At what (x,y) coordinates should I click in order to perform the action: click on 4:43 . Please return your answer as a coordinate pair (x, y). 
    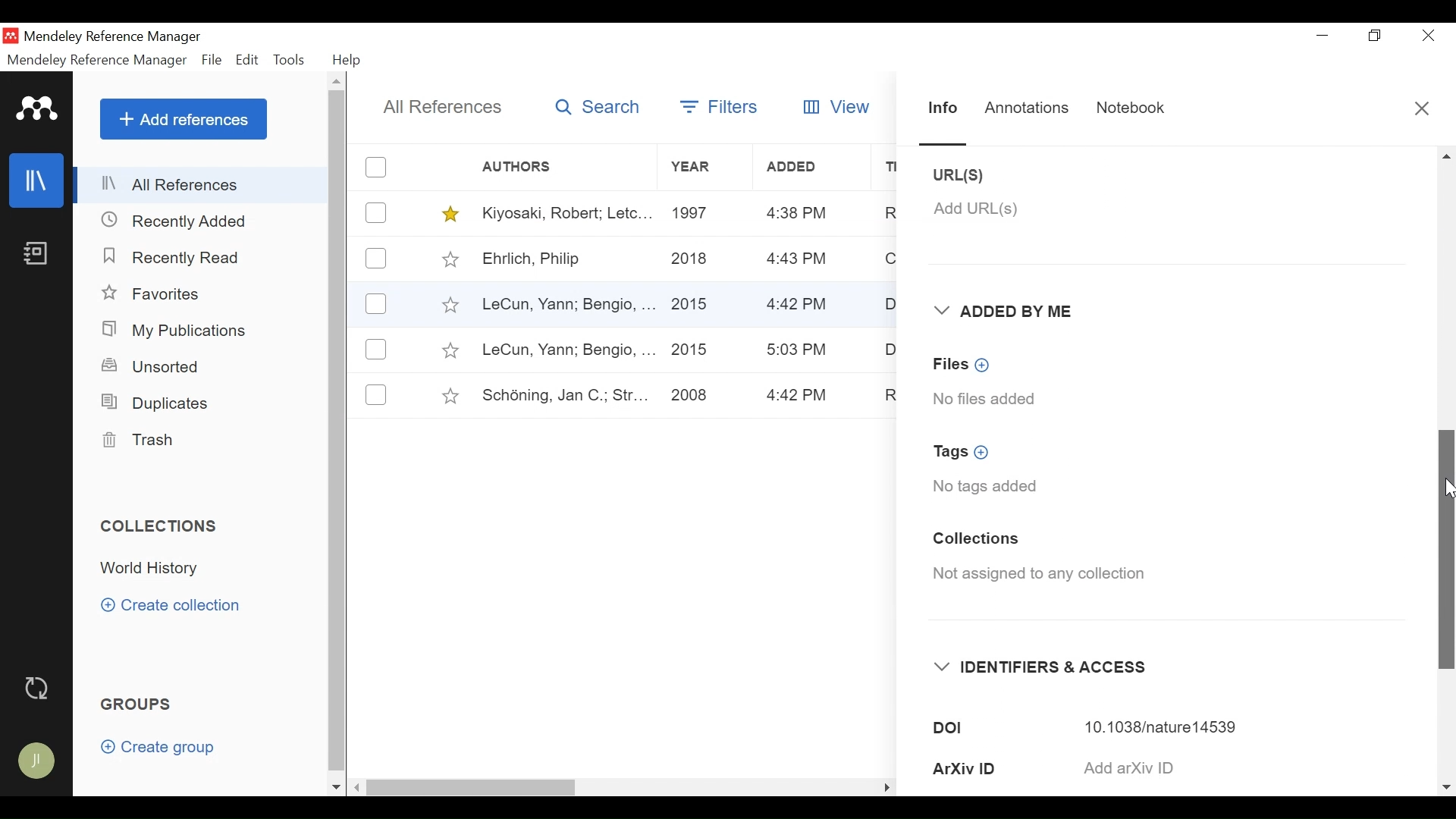
    Looking at the image, I should click on (798, 259).